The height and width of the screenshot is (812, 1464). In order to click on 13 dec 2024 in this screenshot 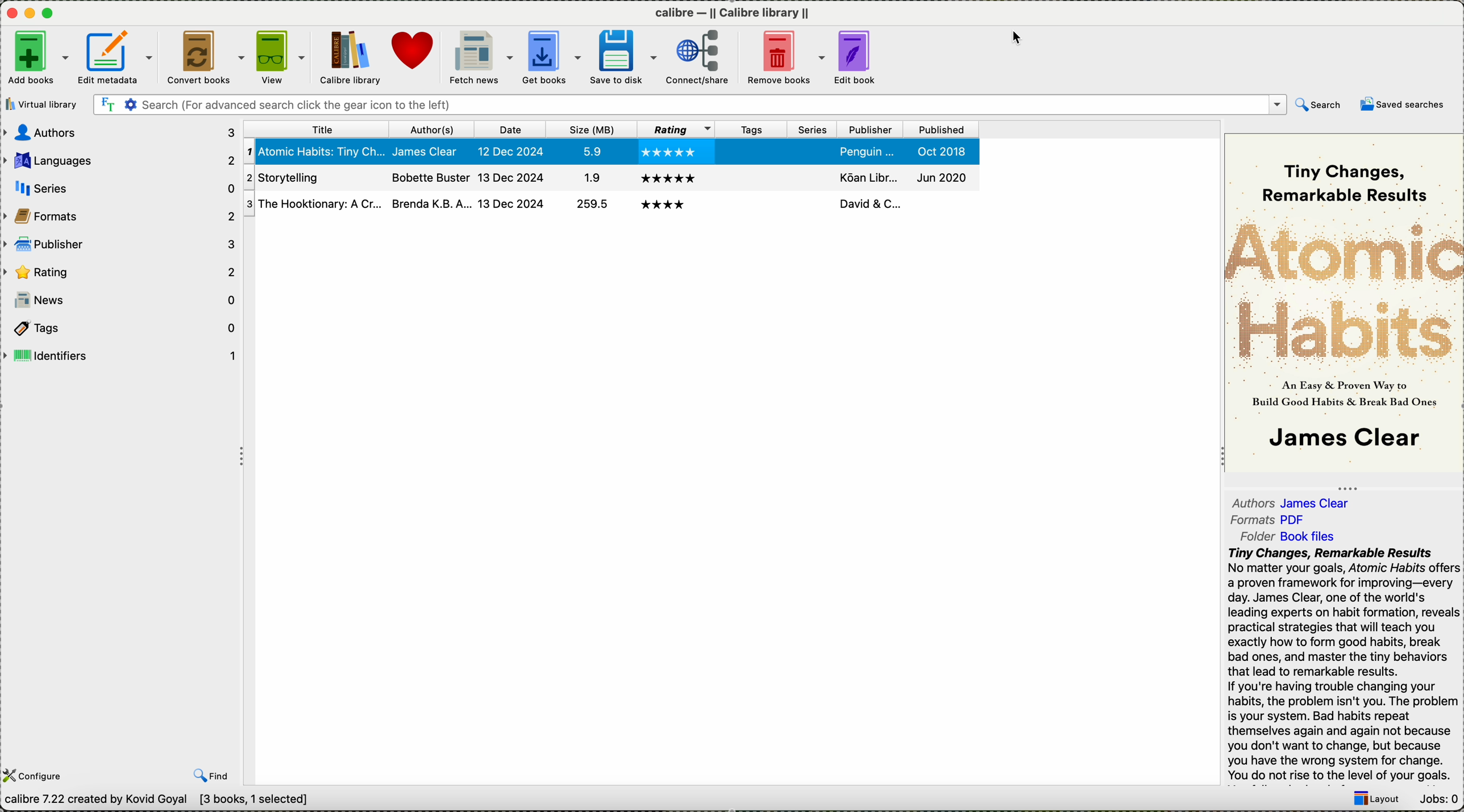, I will do `click(511, 176)`.